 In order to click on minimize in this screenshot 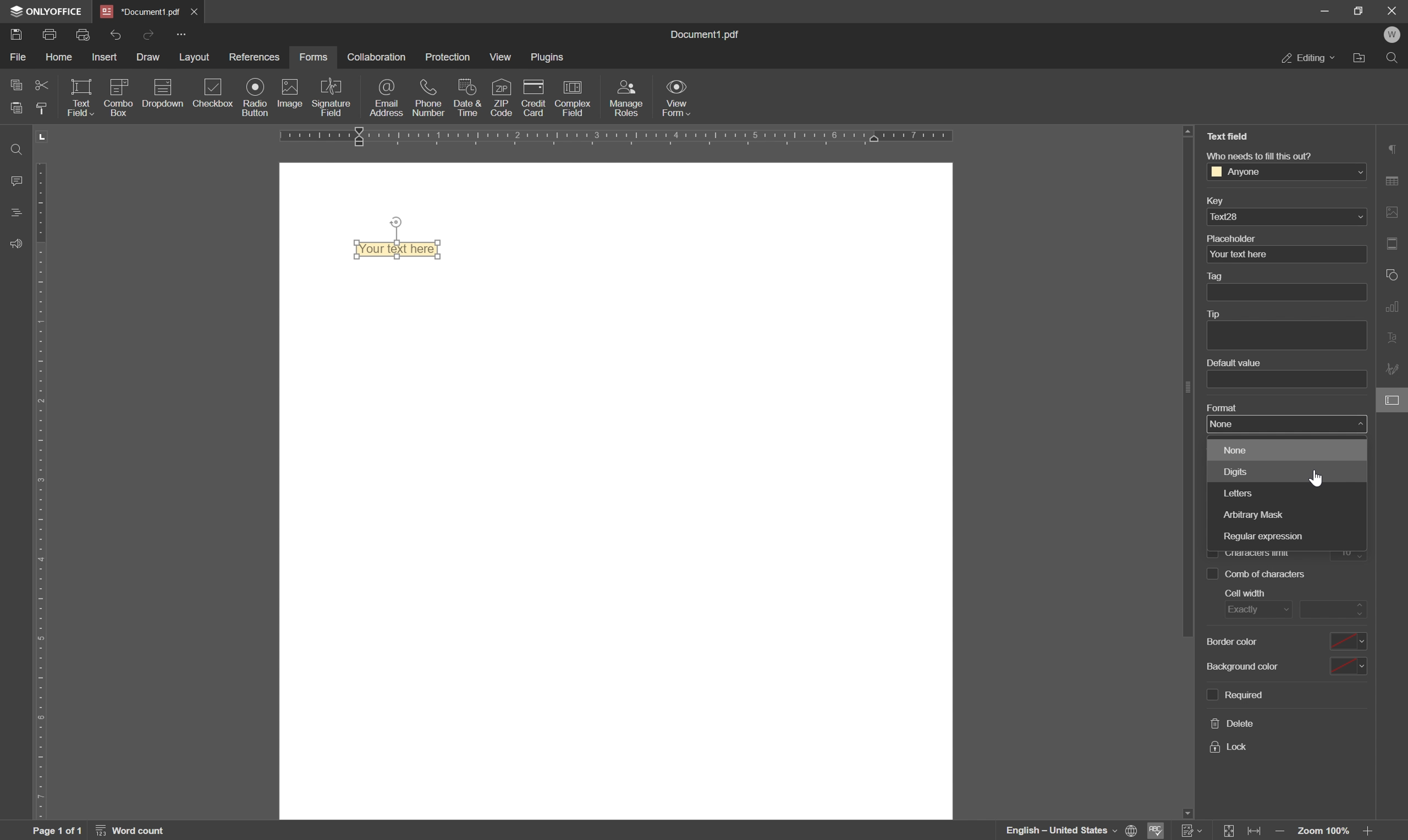, I will do `click(1325, 11)`.